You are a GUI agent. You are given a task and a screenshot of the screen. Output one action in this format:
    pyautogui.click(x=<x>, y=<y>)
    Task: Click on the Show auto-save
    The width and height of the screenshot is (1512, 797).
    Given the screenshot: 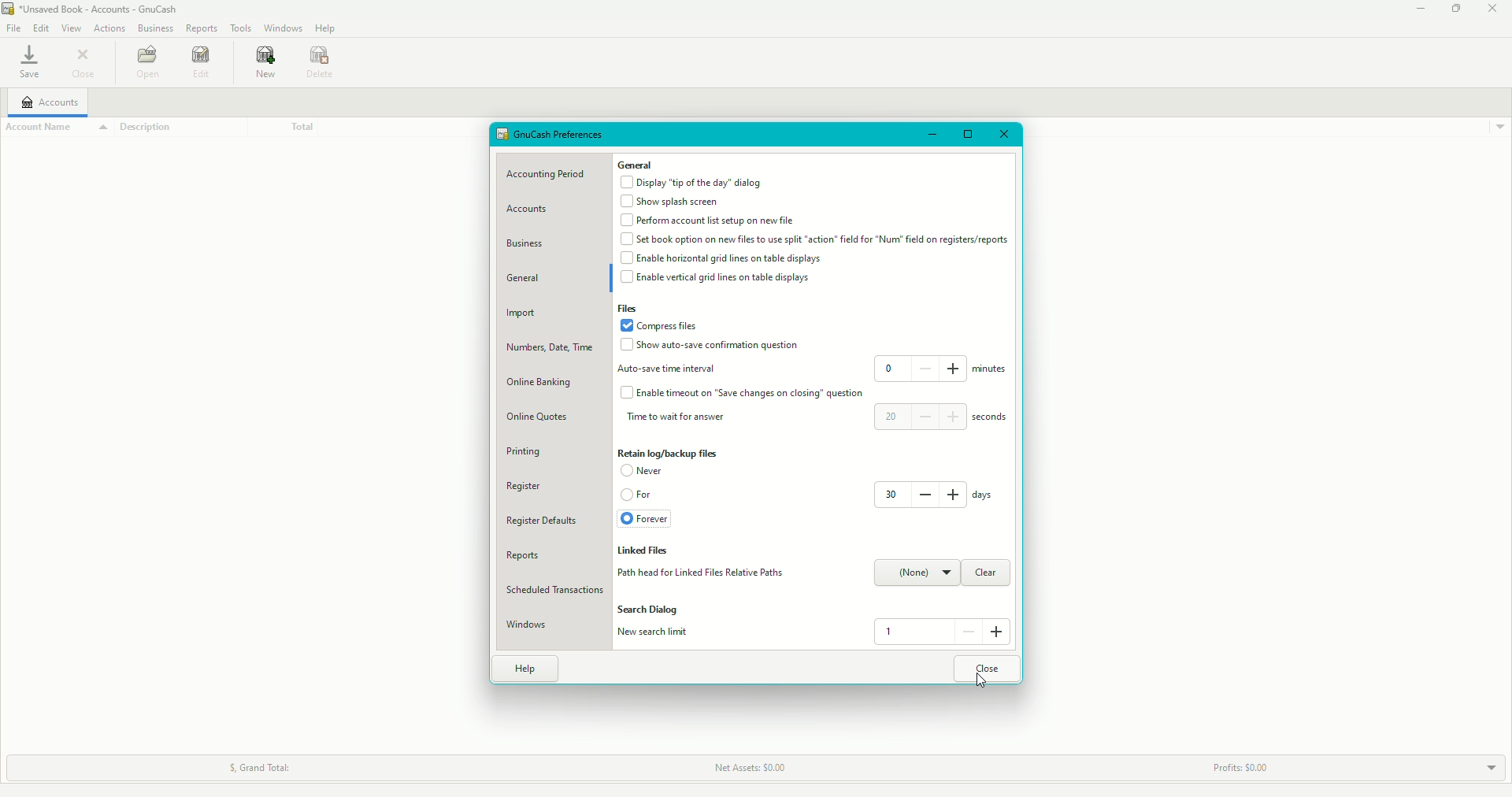 What is the action you would take?
    pyautogui.click(x=710, y=347)
    